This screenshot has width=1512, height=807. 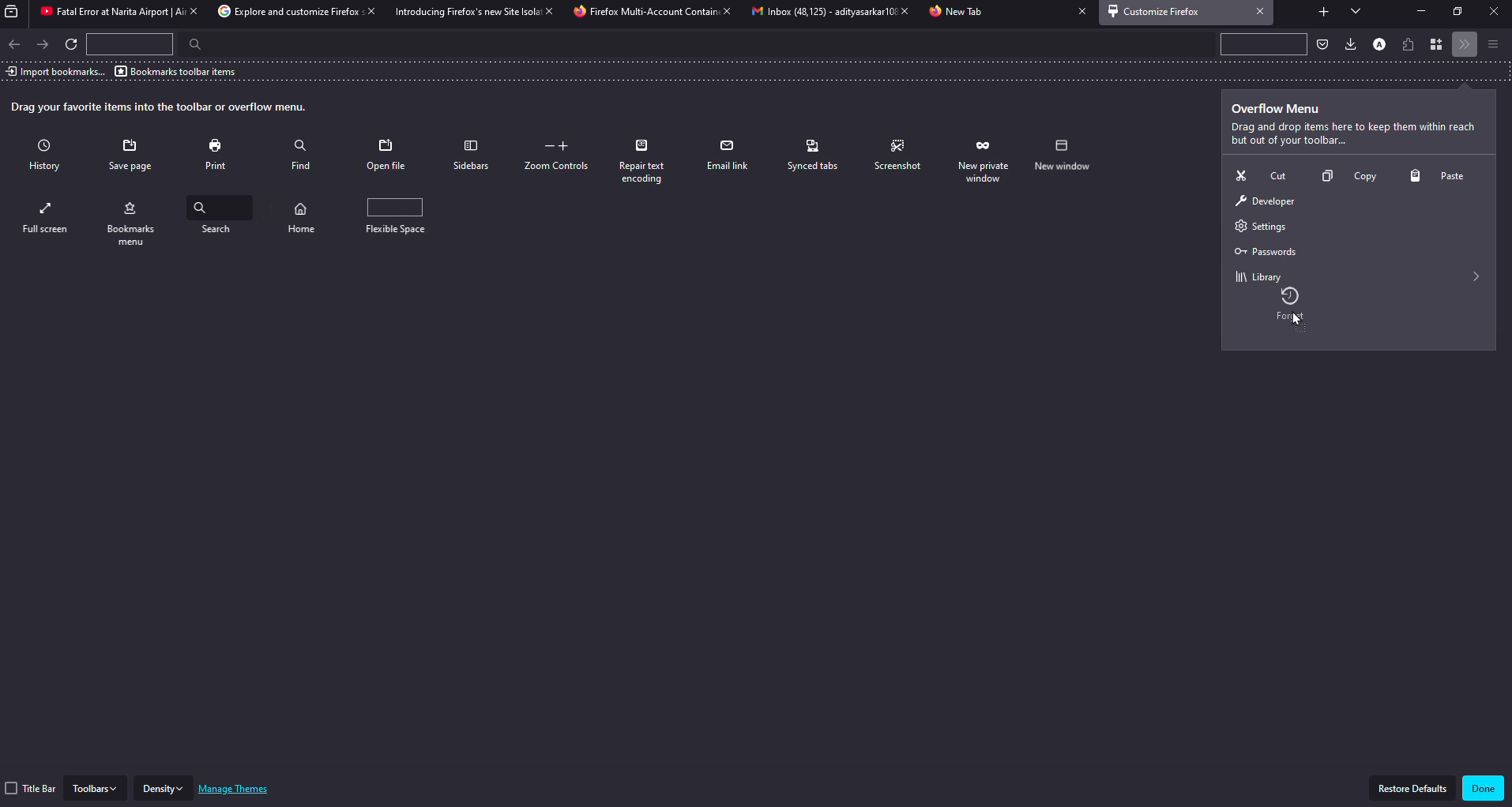 What do you see at coordinates (1296, 309) in the screenshot?
I see `forget` at bounding box center [1296, 309].